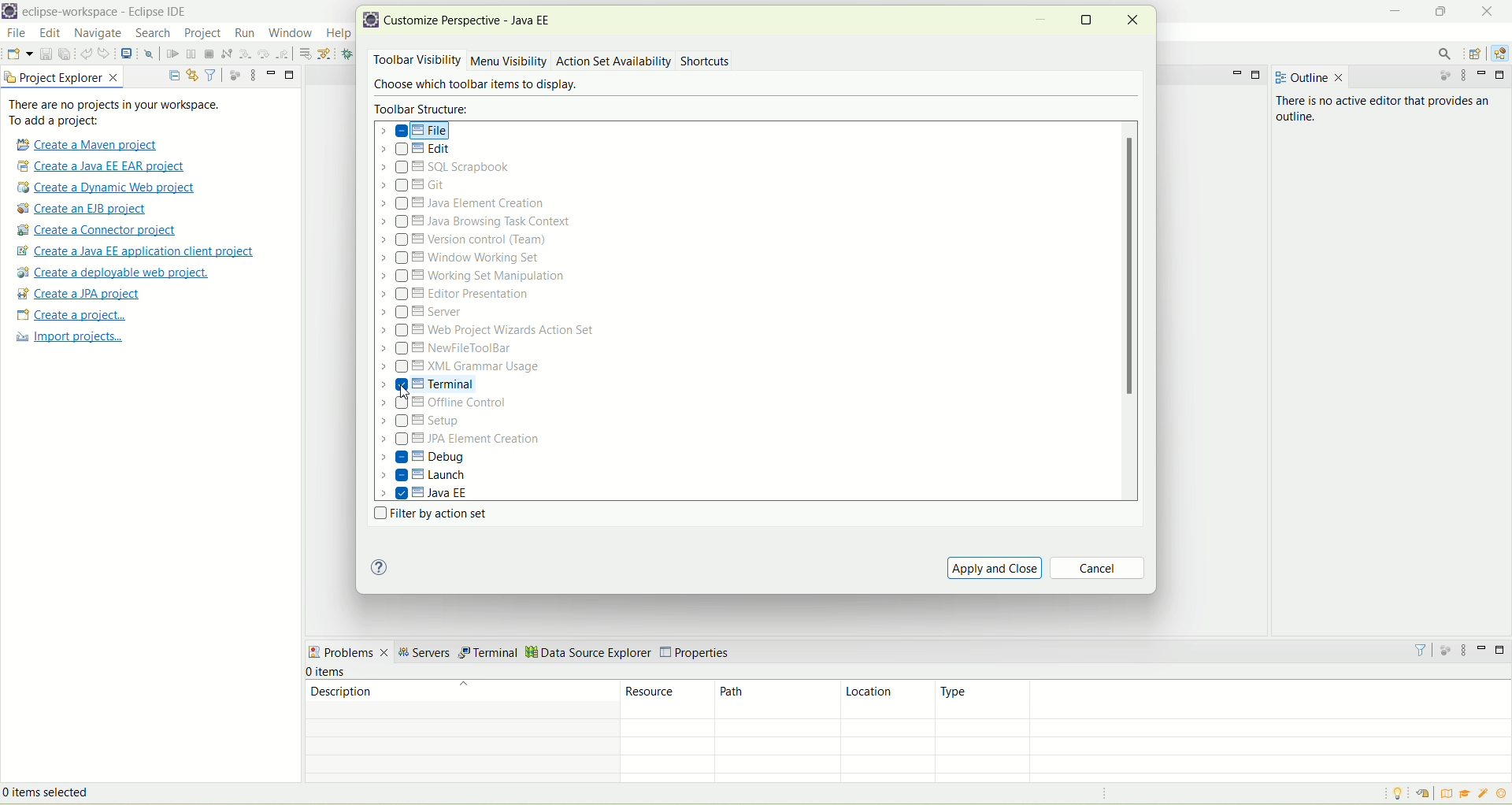 The height and width of the screenshot is (805, 1512). Describe the element at coordinates (1235, 73) in the screenshot. I see `minimize` at that location.